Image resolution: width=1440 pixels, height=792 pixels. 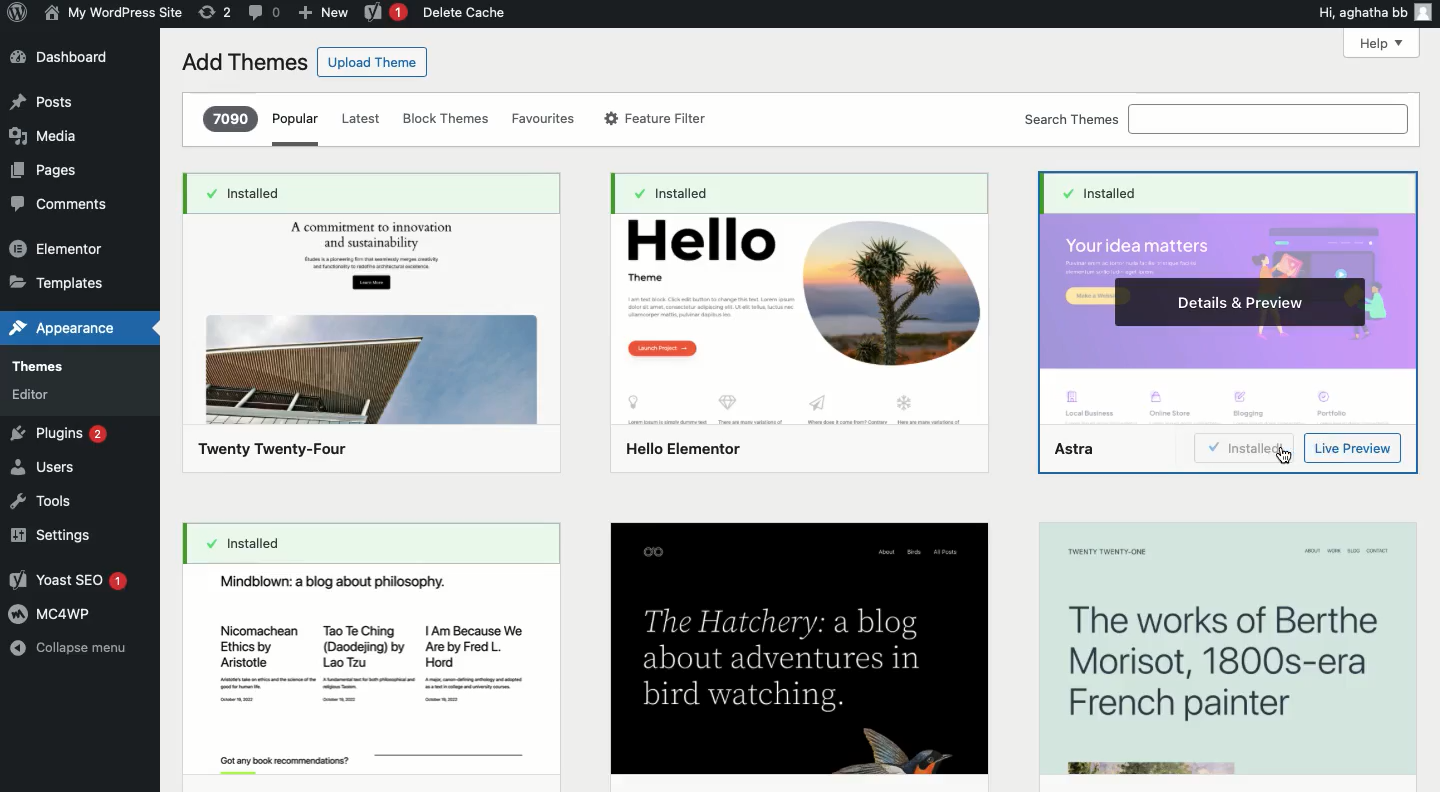 I want to click on Help, so click(x=1385, y=44).